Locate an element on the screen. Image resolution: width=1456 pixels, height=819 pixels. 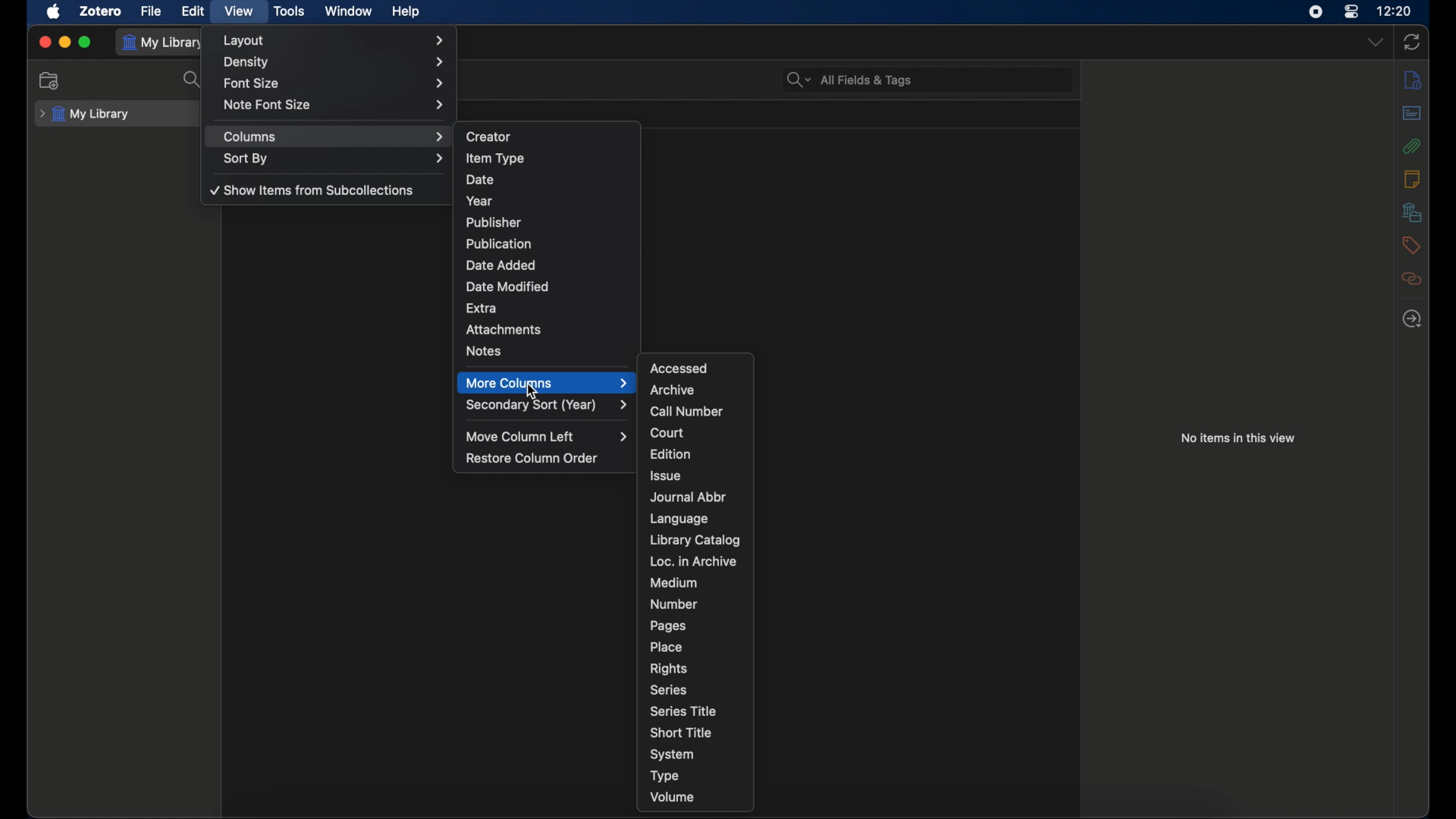
system is located at coordinates (673, 755).